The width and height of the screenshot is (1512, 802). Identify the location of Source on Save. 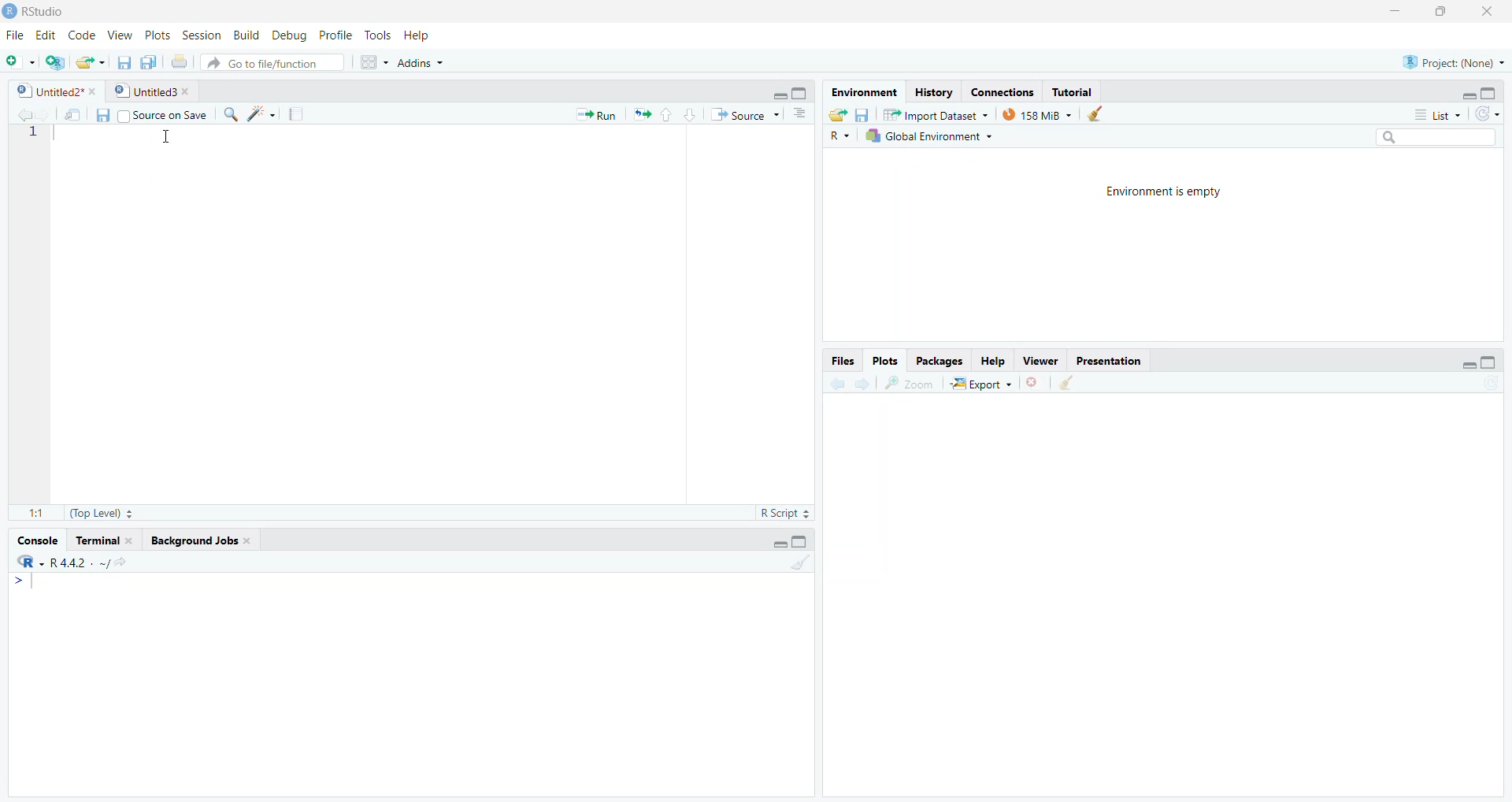
(166, 114).